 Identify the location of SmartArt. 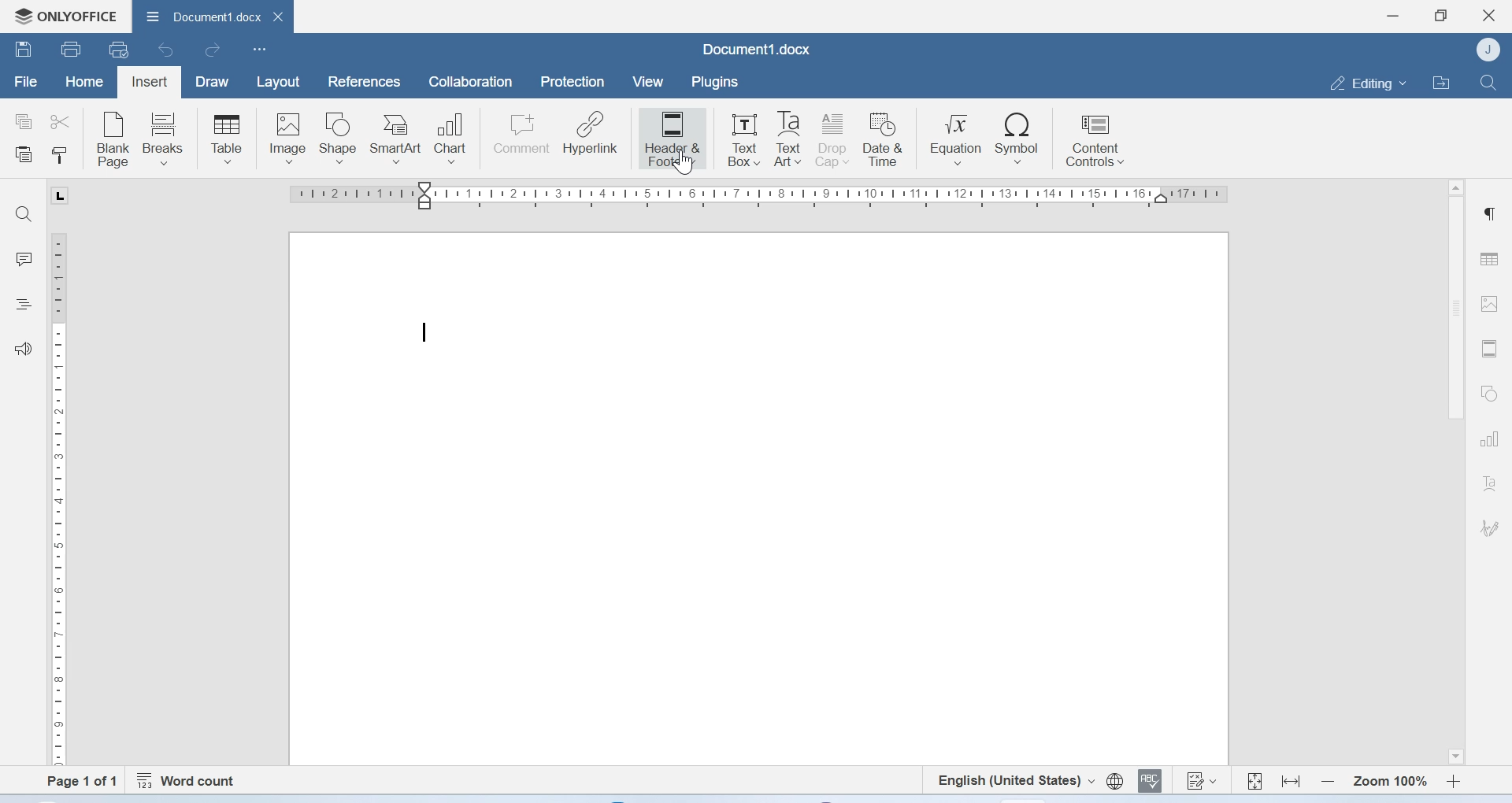
(399, 135).